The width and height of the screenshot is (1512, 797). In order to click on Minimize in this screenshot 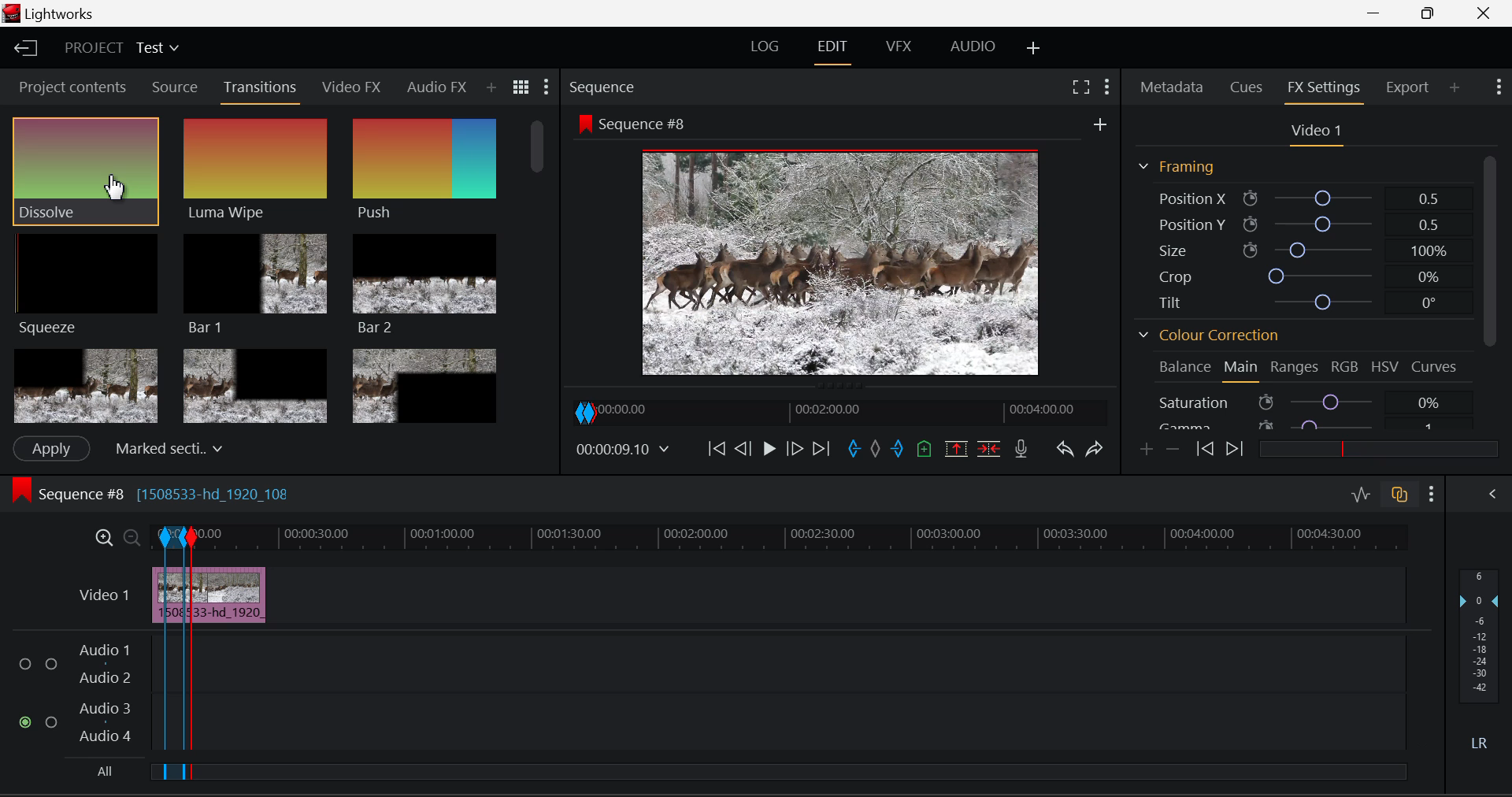, I will do `click(1431, 14)`.